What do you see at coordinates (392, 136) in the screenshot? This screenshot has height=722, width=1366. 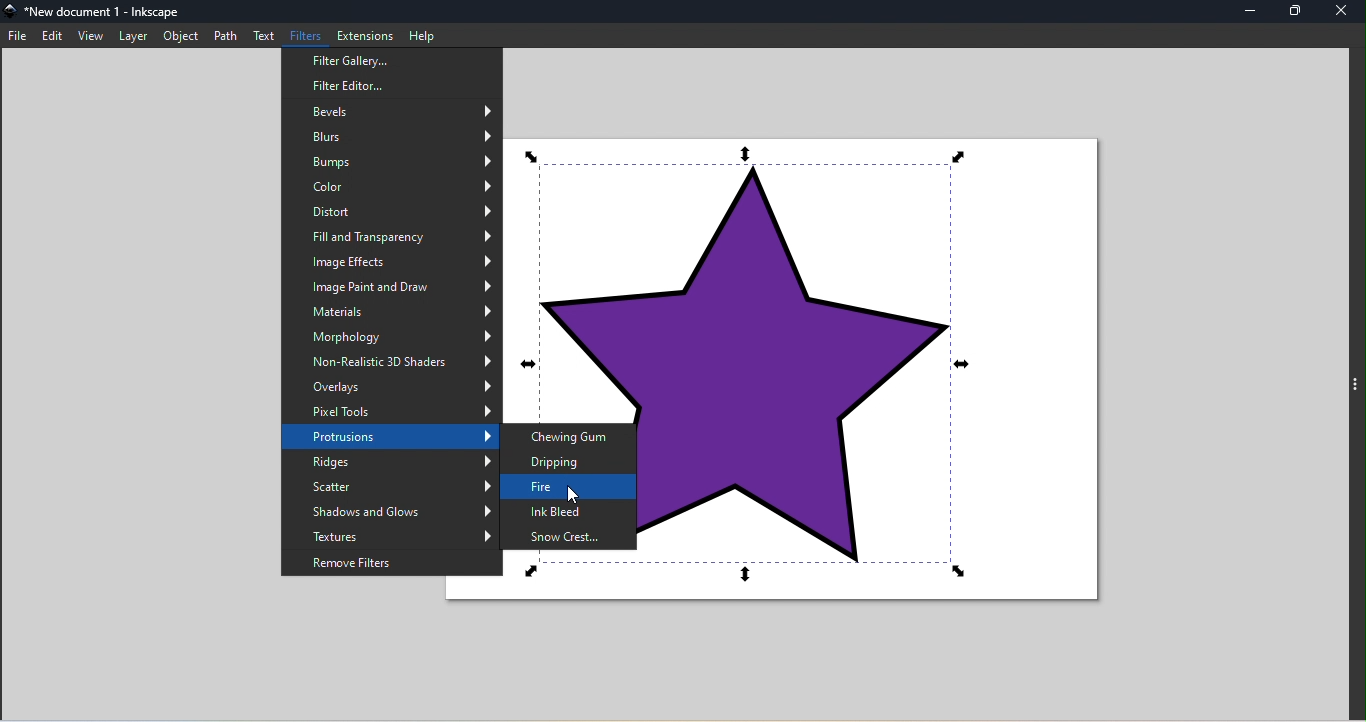 I see `Blurs` at bounding box center [392, 136].